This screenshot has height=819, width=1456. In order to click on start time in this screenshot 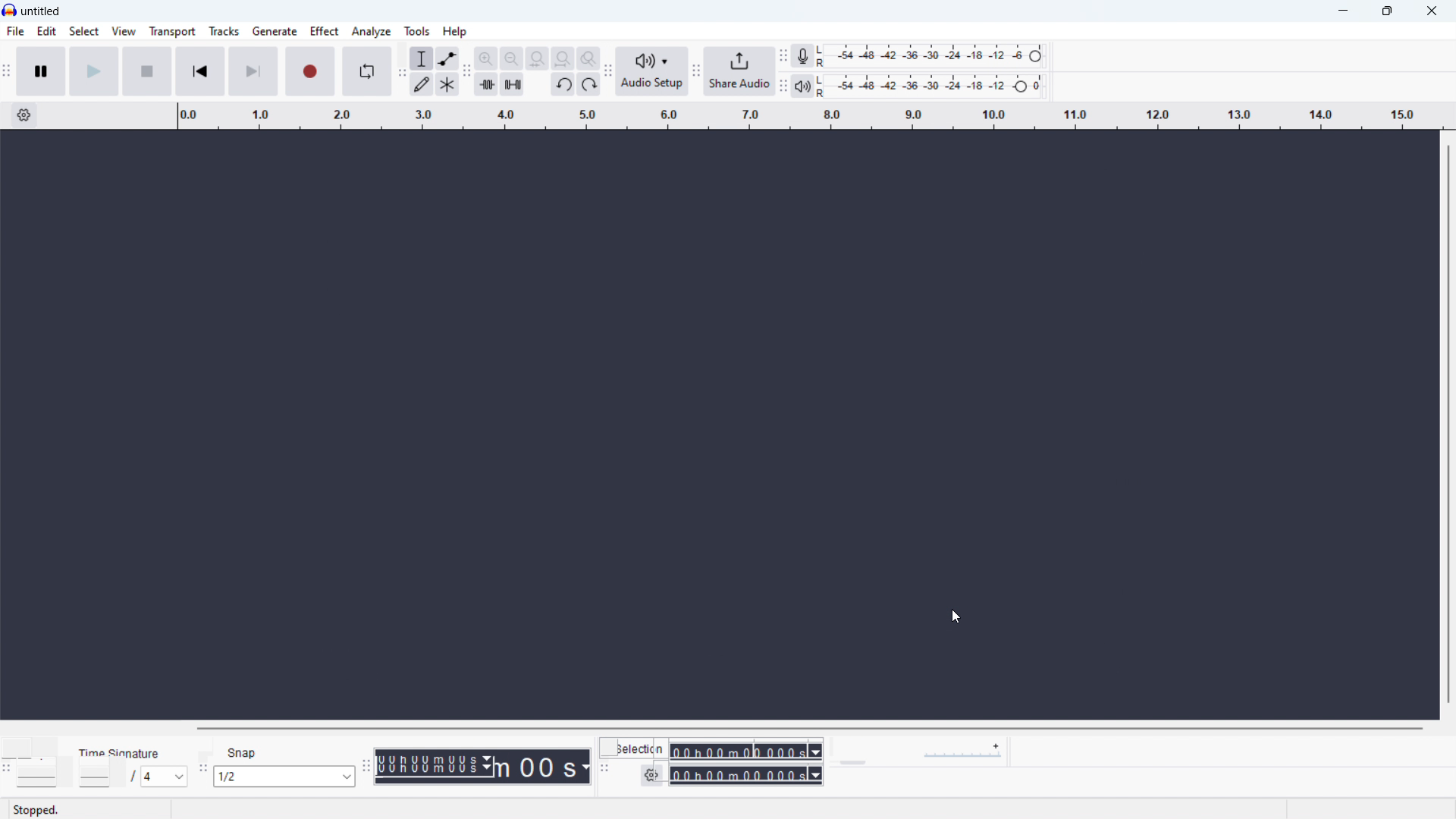, I will do `click(745, 752)`.